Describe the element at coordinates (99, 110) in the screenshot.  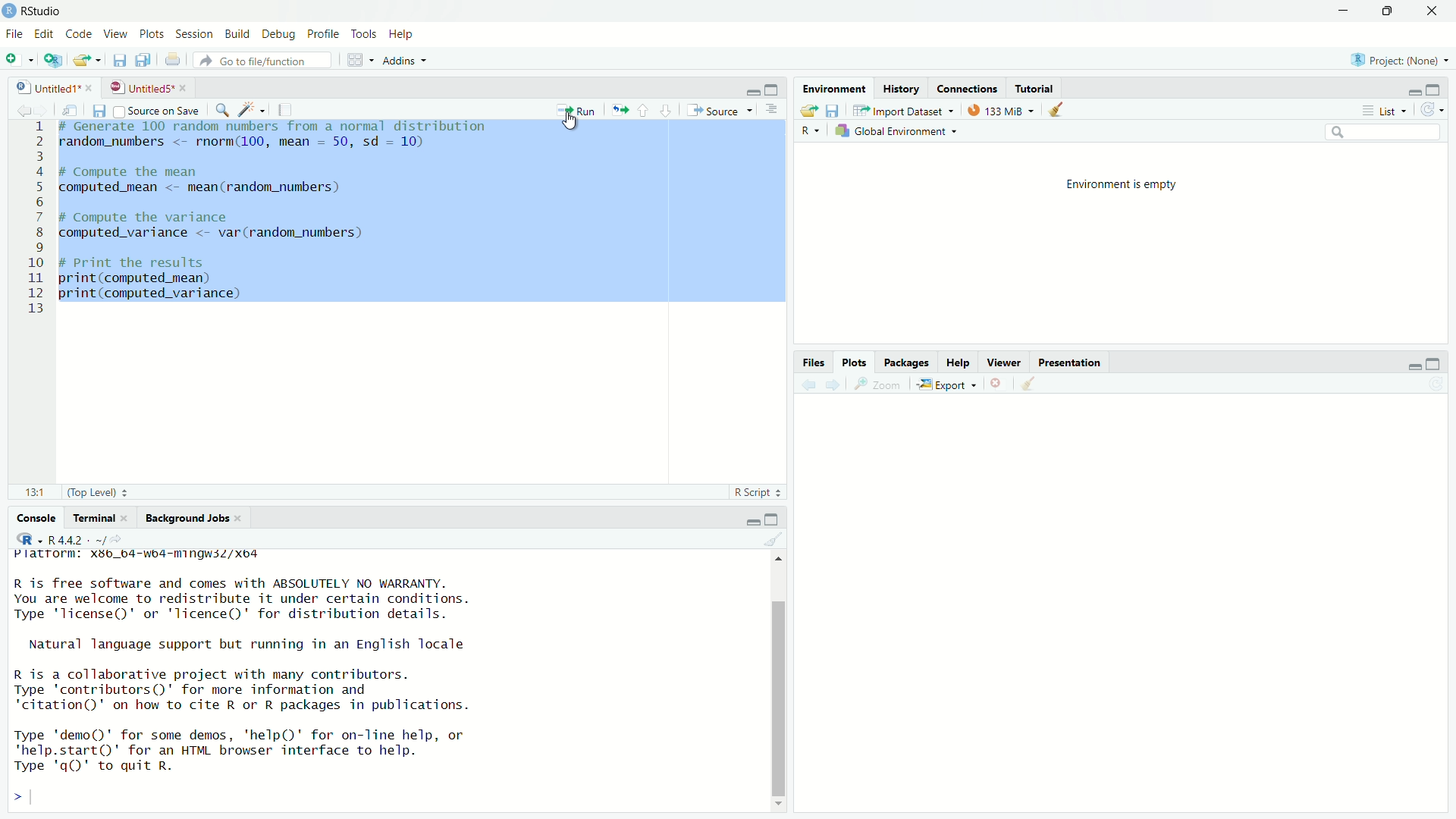
I see `save current document` at that location.